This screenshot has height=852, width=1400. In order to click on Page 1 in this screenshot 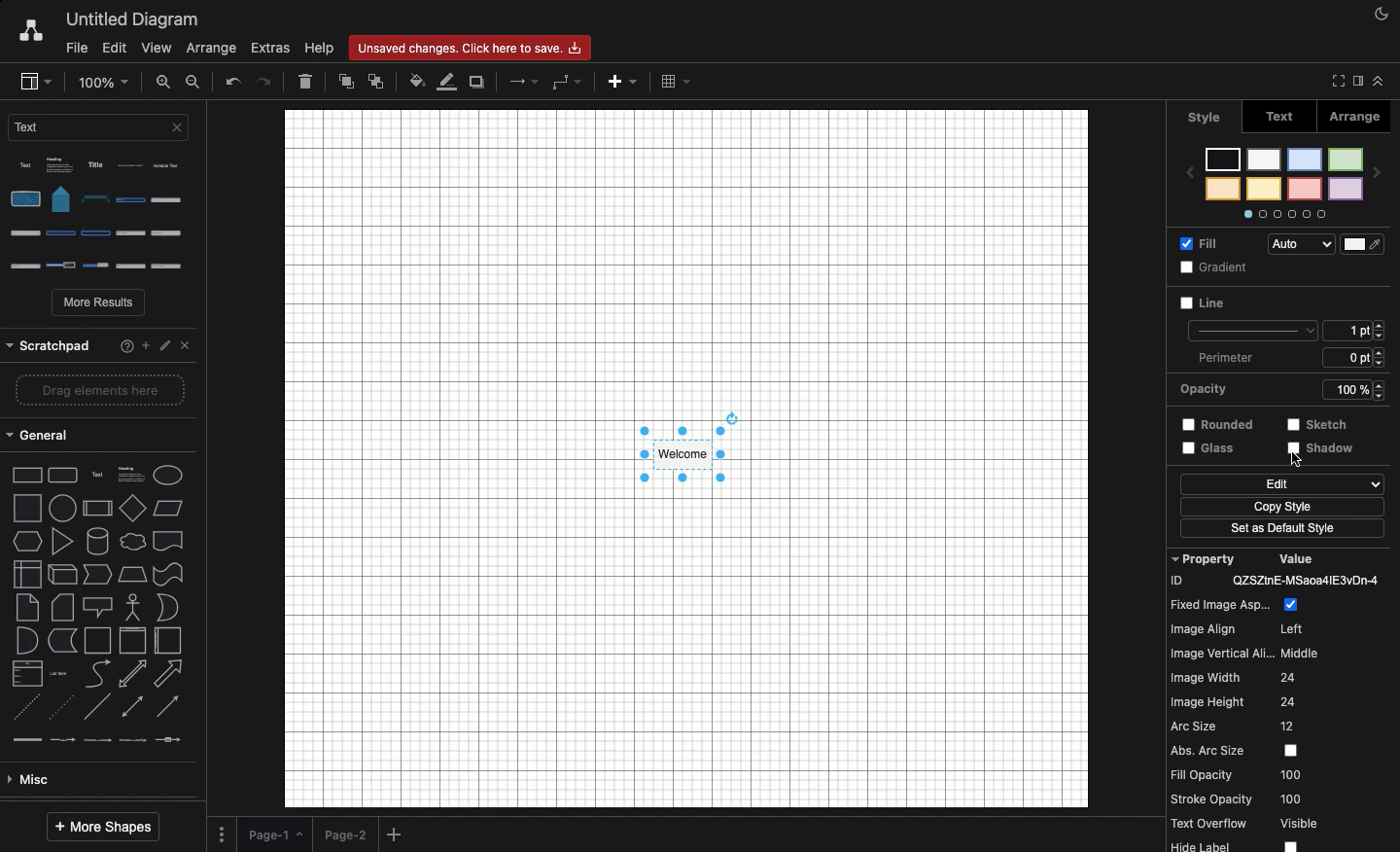, I will do `click(274, 832)`.